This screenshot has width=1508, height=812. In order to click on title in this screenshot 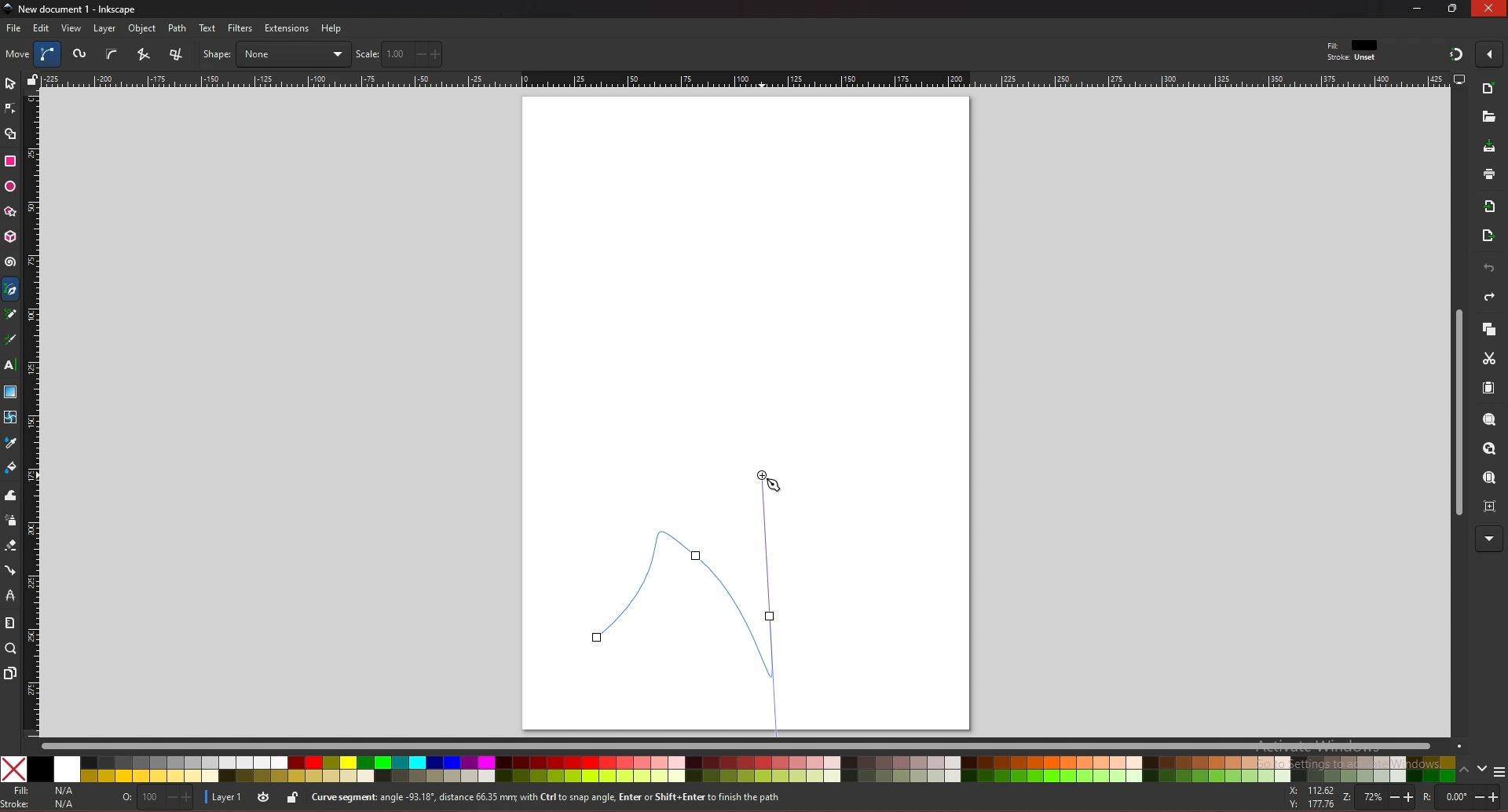, I will do `click(72, 8)`.